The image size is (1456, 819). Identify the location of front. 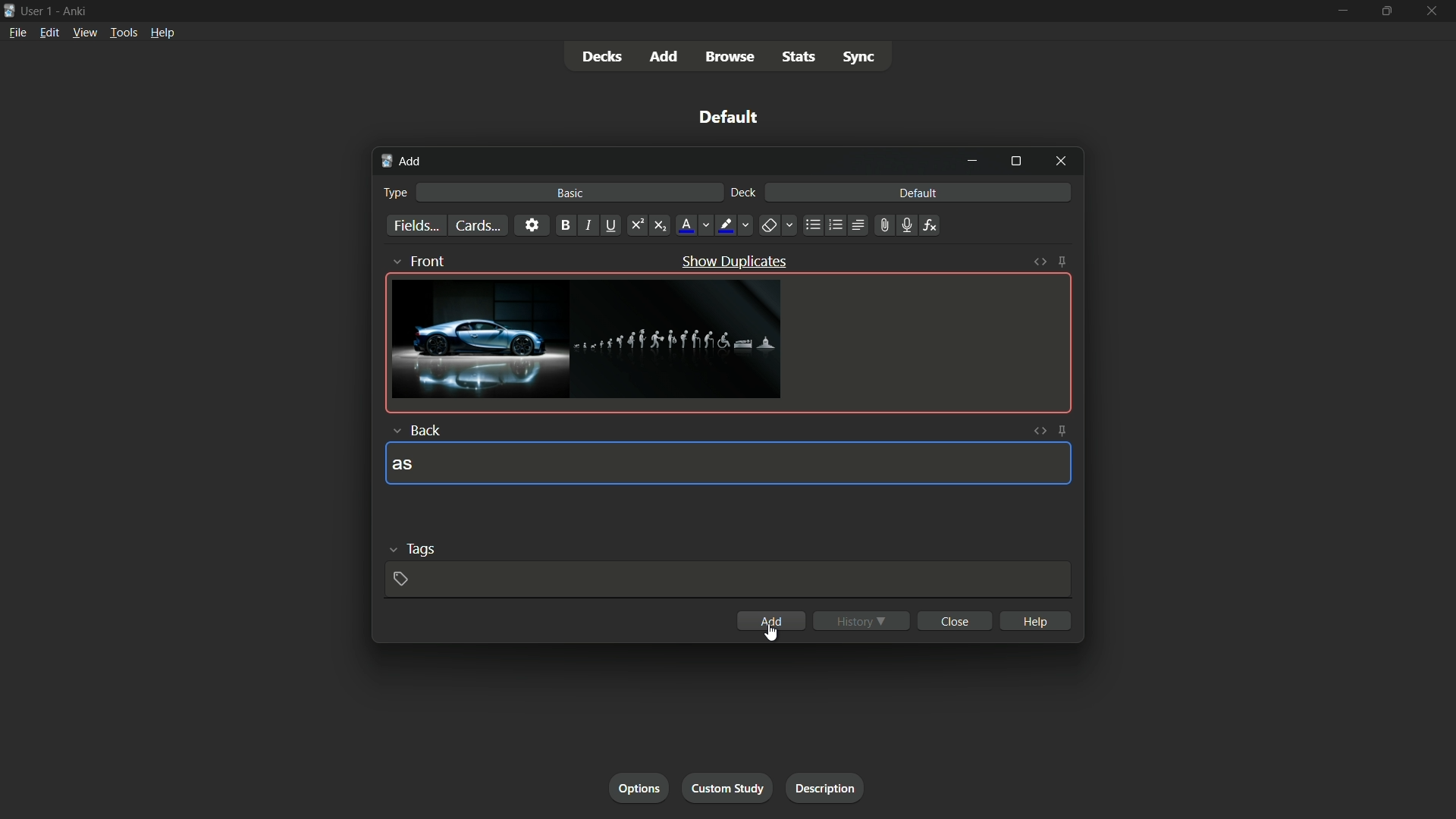
(422, 259).